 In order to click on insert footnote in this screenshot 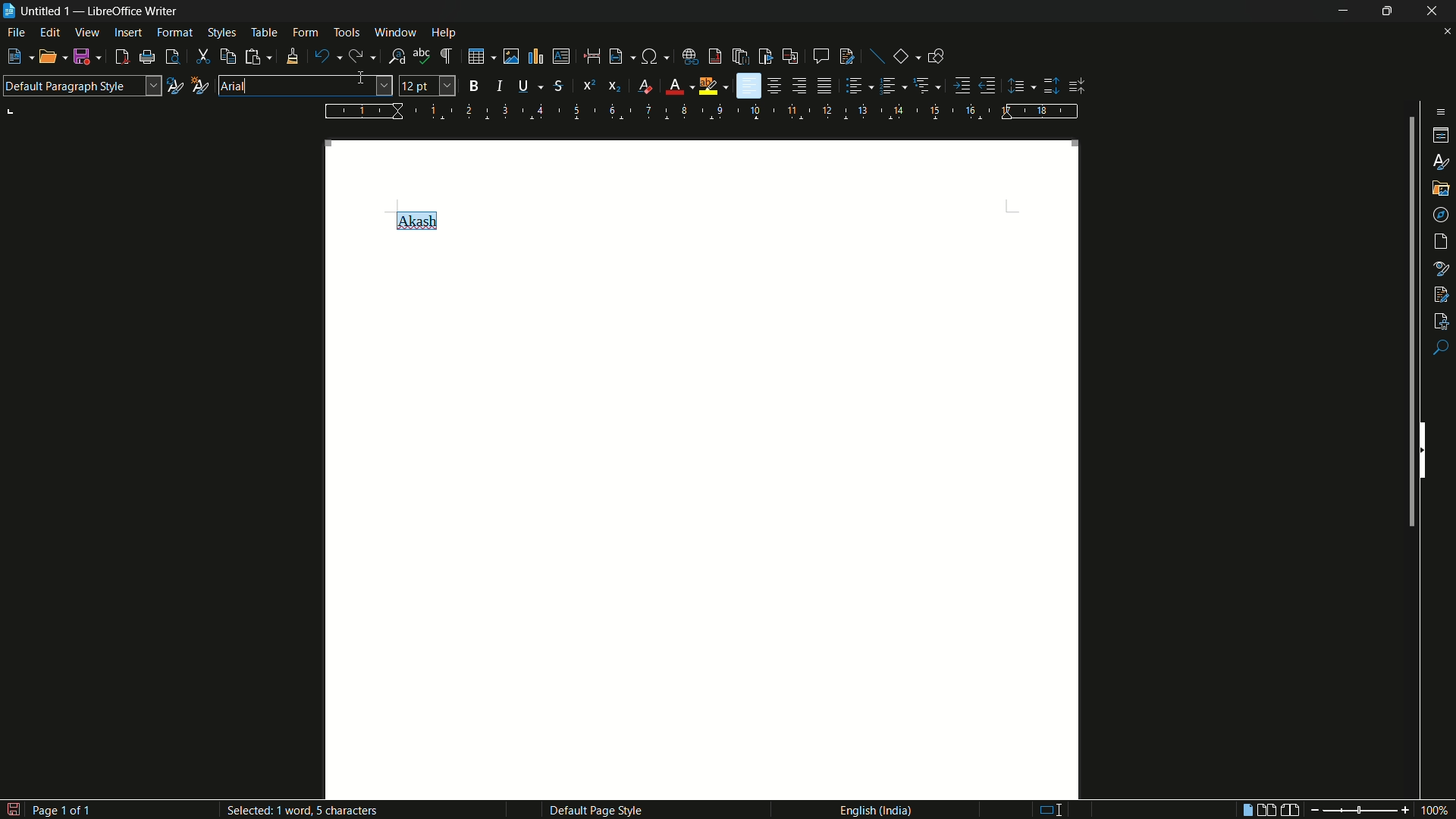, I will do `click(716, 56)`.